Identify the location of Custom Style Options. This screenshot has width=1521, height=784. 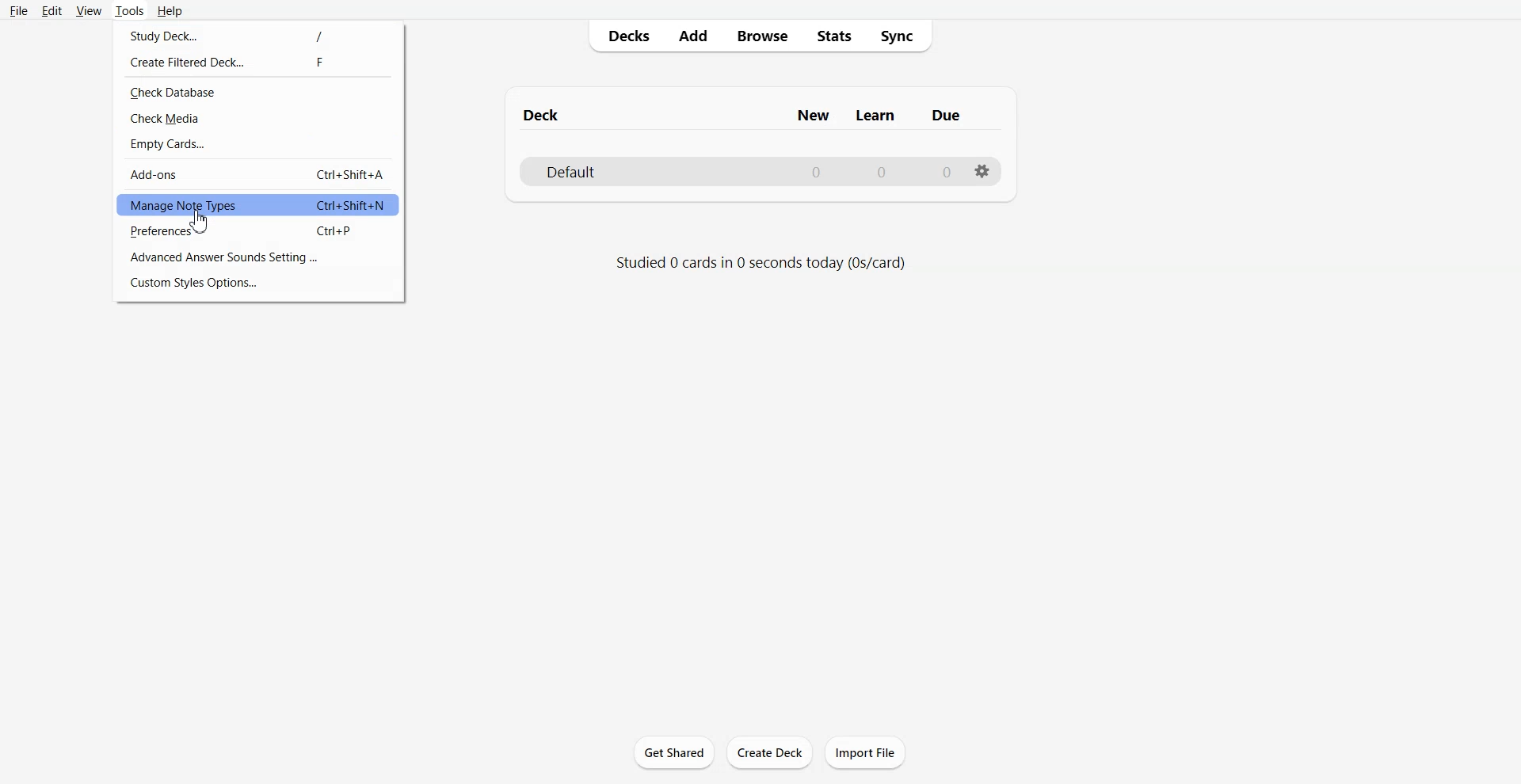
(259, 283).